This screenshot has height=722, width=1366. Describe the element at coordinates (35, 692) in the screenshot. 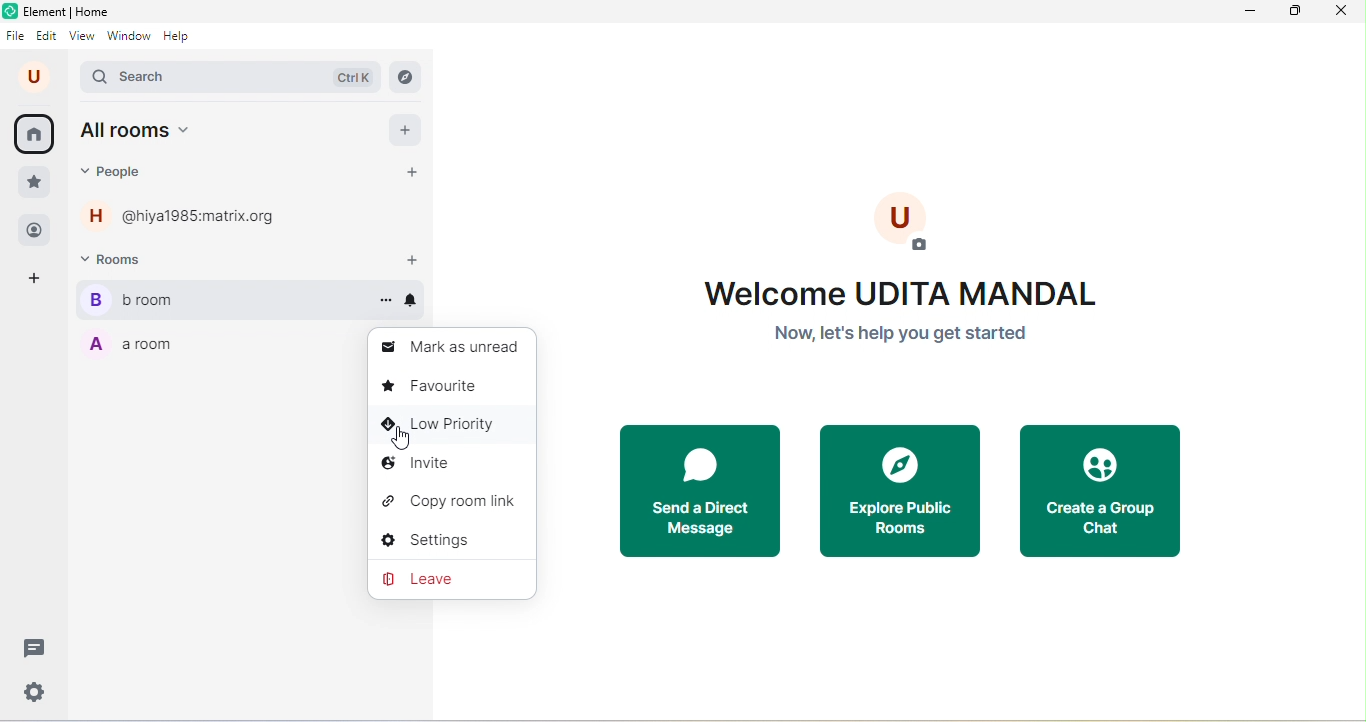

I see `quick settings` at that location.